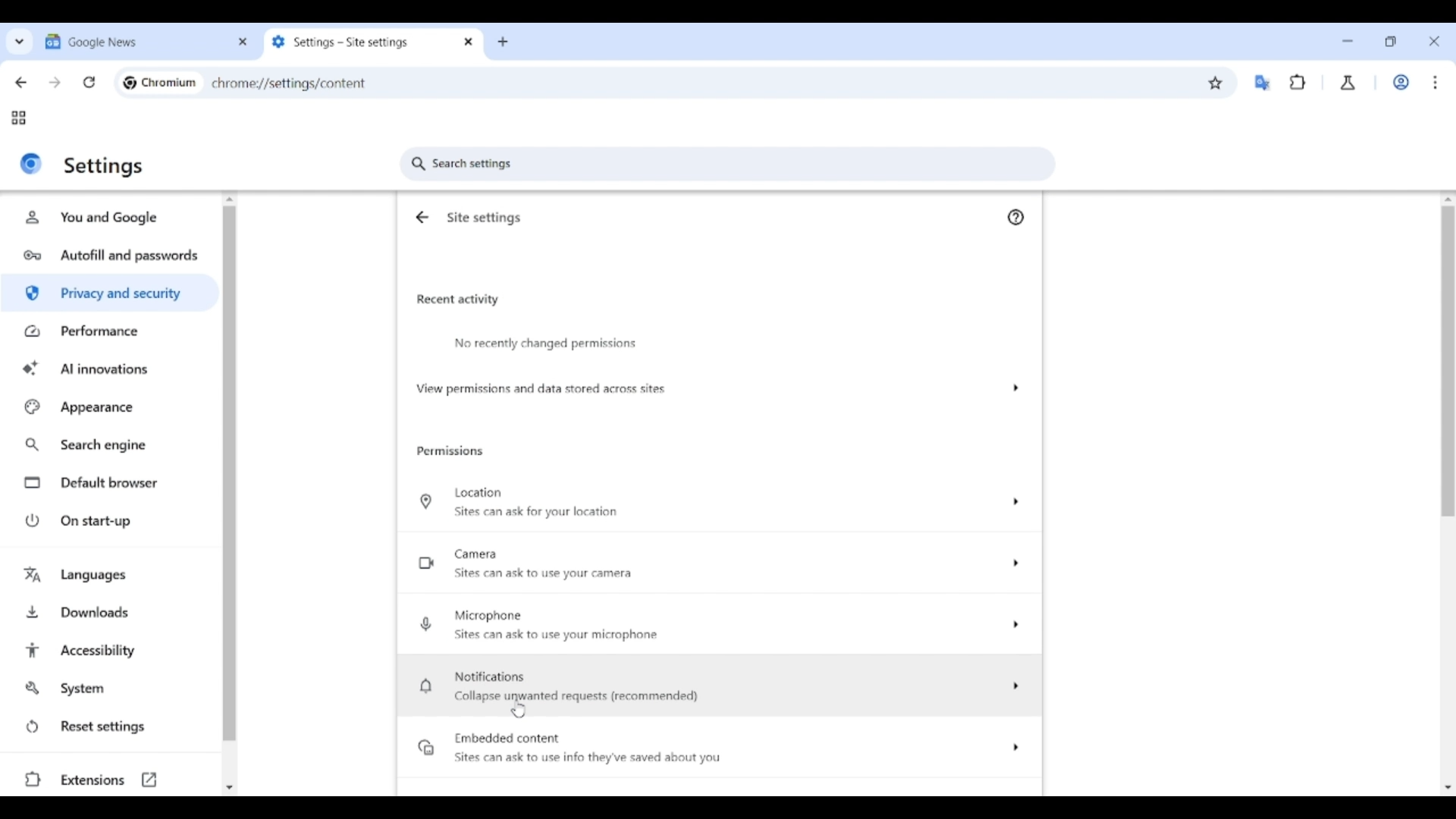 The image size is (1456, 819). What do you see at coordinates (450, 451) in the screenshot?
I see `Permissions` at bounding box center [450, 451].